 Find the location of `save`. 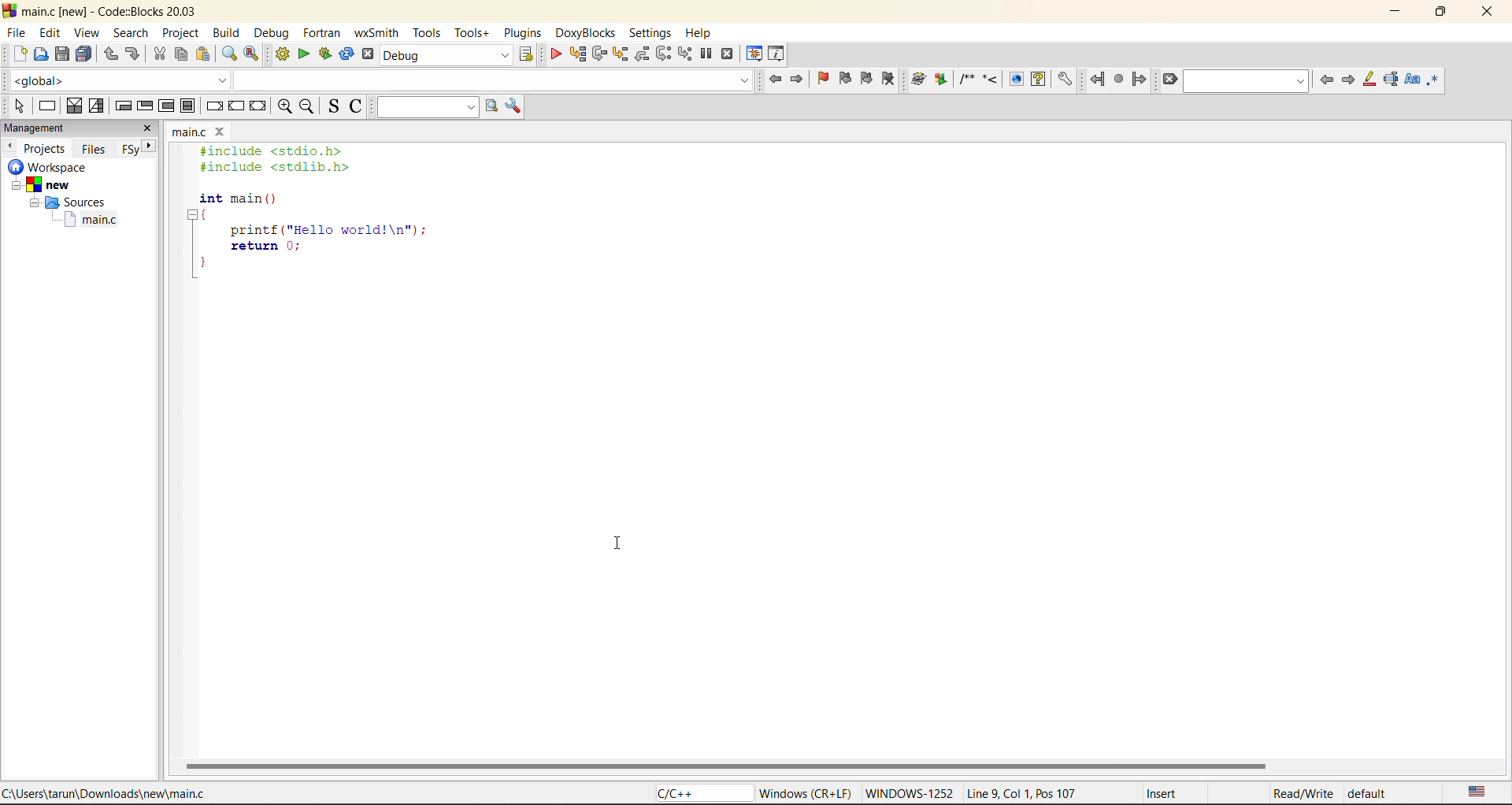

save is located at coordinates (61, 54).